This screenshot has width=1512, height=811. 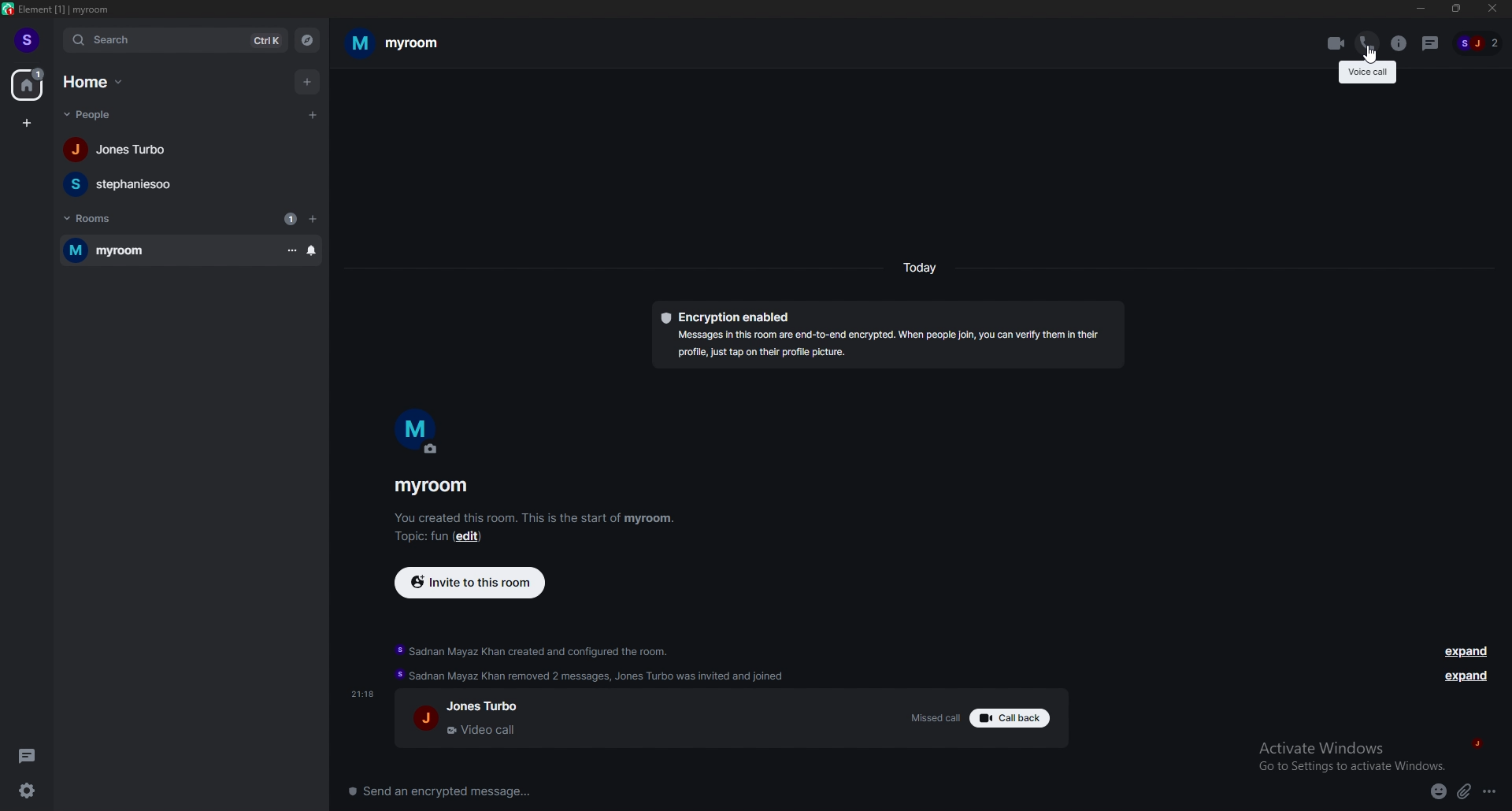 I want to click on rooms, so click(x=106, y=217).